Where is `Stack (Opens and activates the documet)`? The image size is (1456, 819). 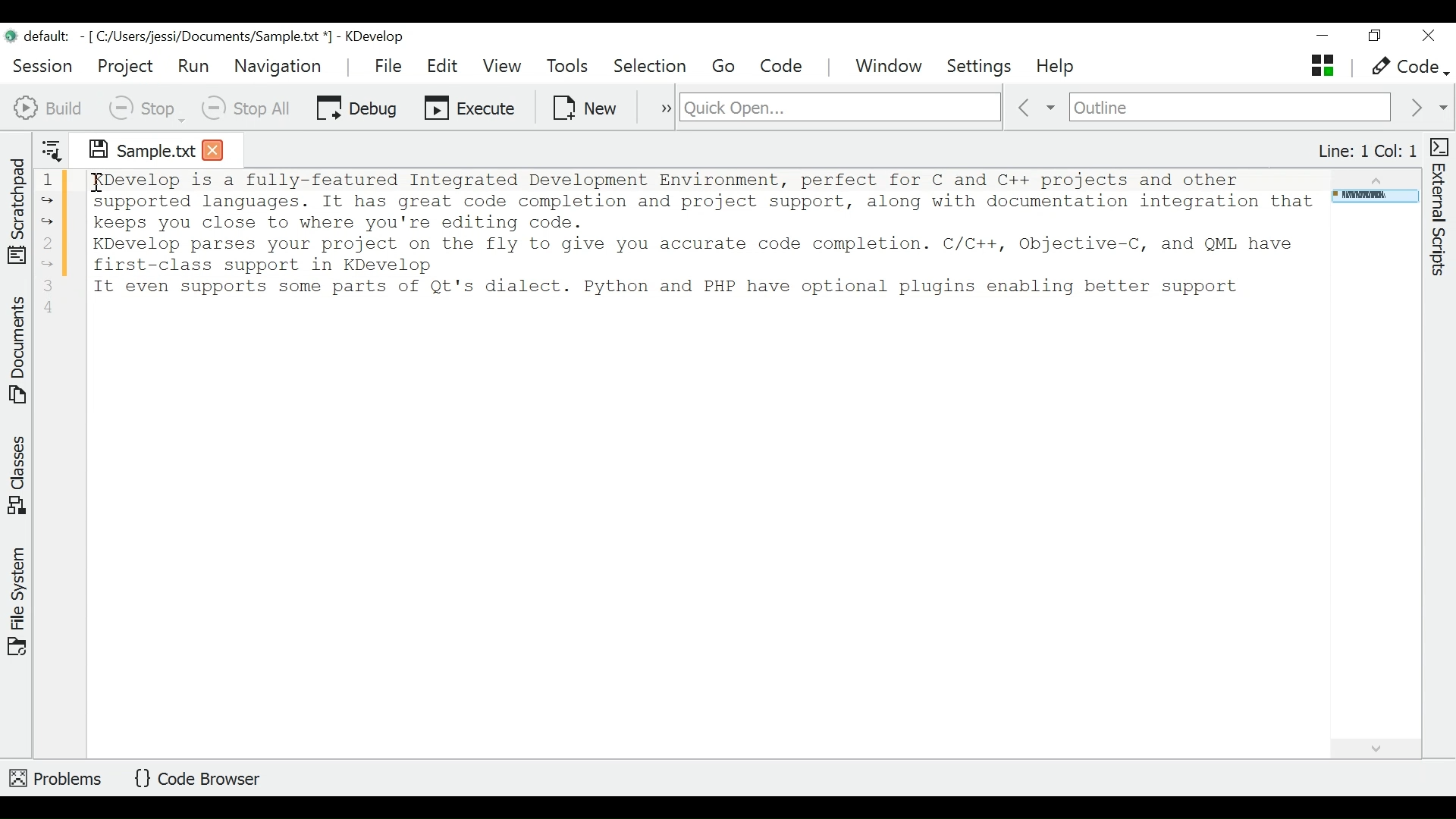 Stack (Opens and activates the documet) is located at coordinates (1321, 65).